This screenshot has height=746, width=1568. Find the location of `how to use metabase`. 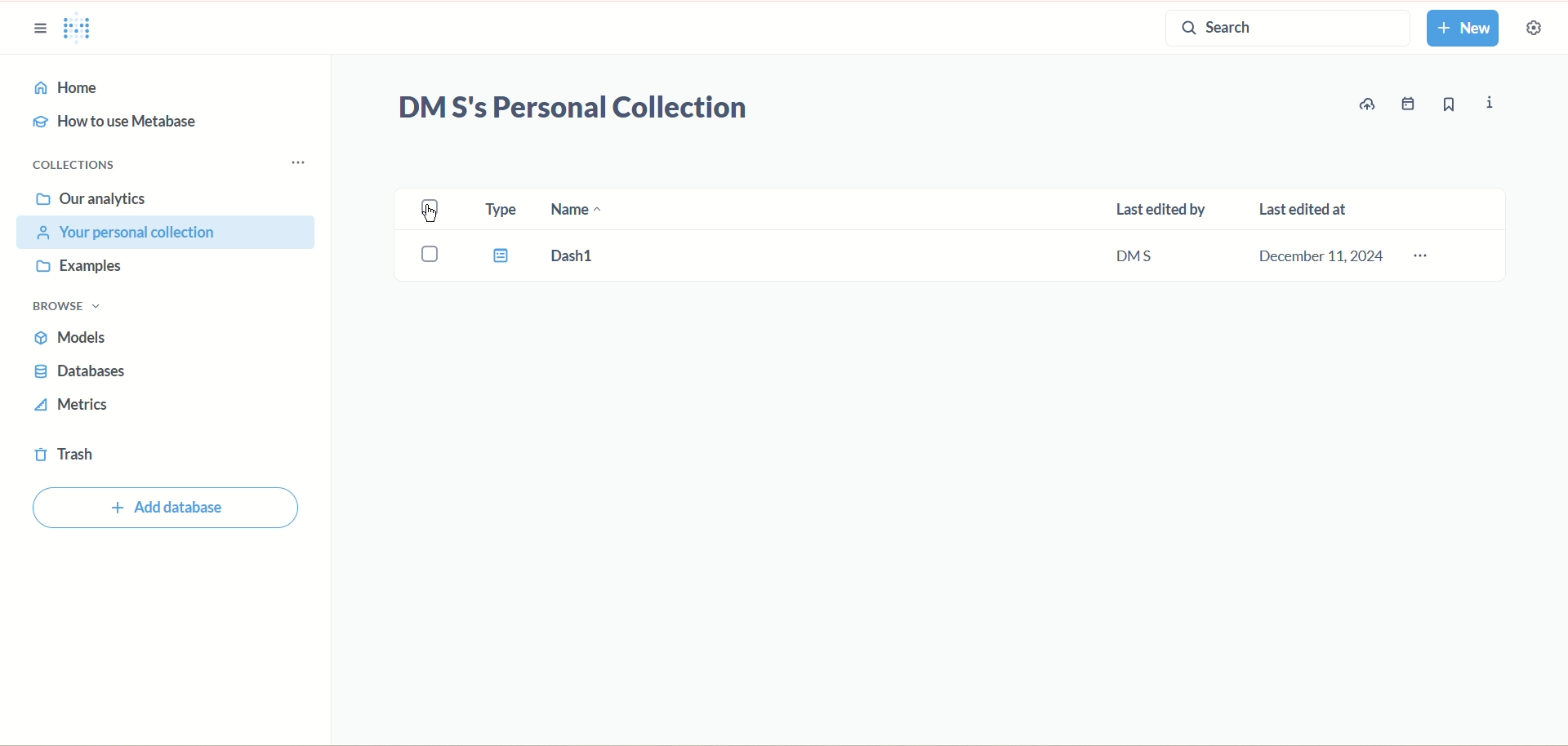

how to use metabase is located at coordinates (116, 123).